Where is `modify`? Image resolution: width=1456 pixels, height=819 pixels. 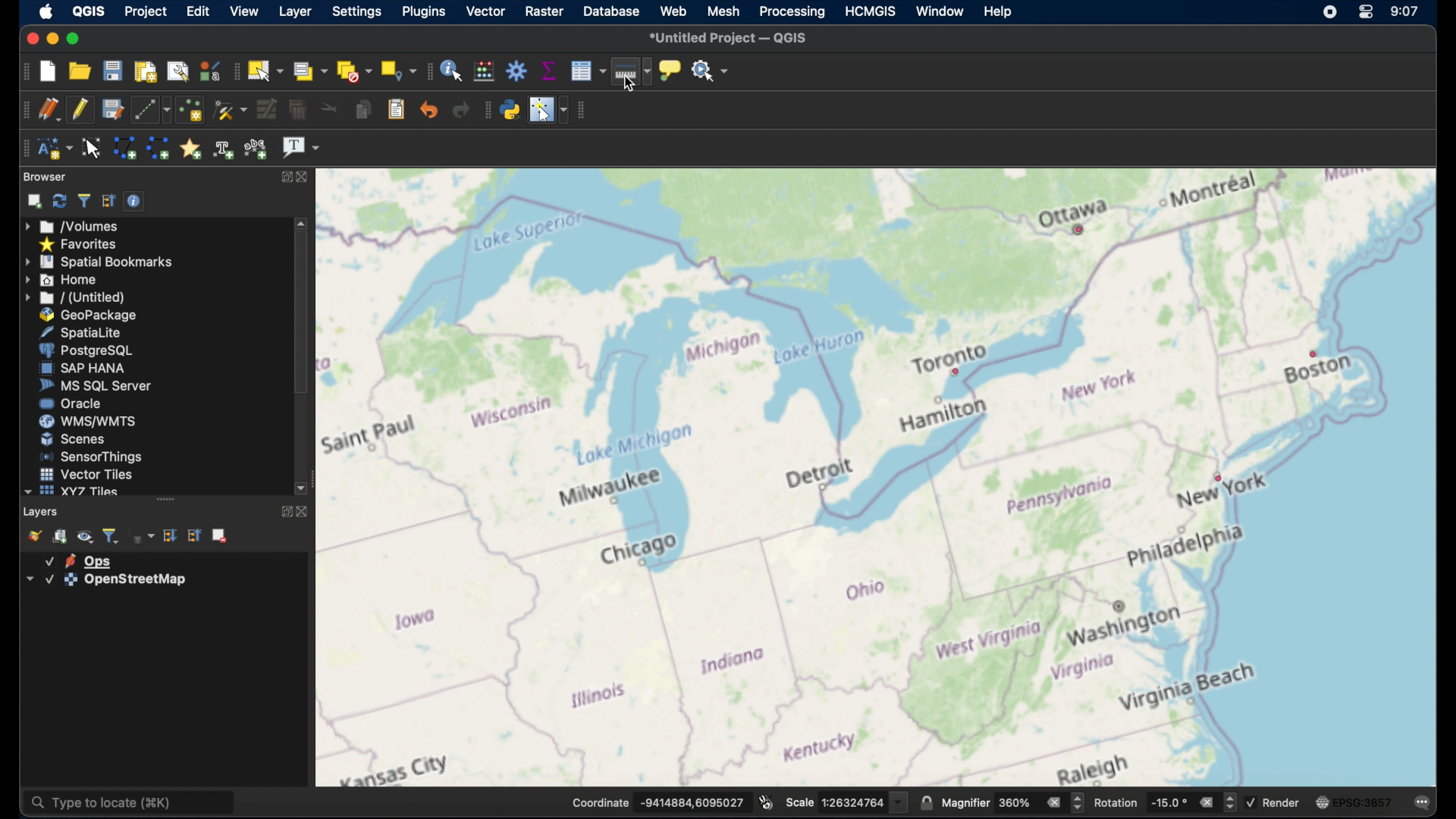
modify is located at coordinates (265, 108).